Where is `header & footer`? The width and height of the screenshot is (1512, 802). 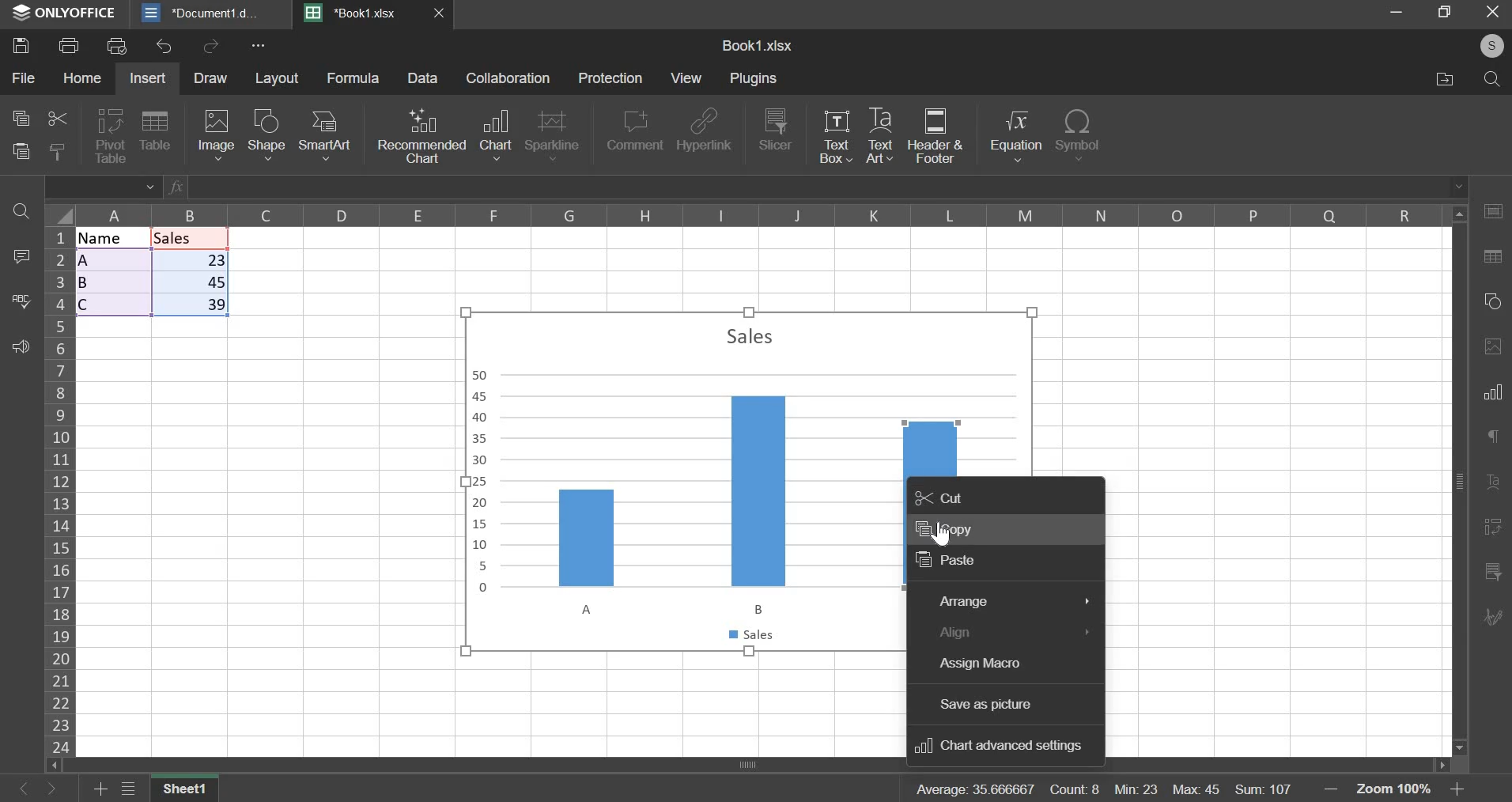
header & footer is located at coordinates (936, 136).